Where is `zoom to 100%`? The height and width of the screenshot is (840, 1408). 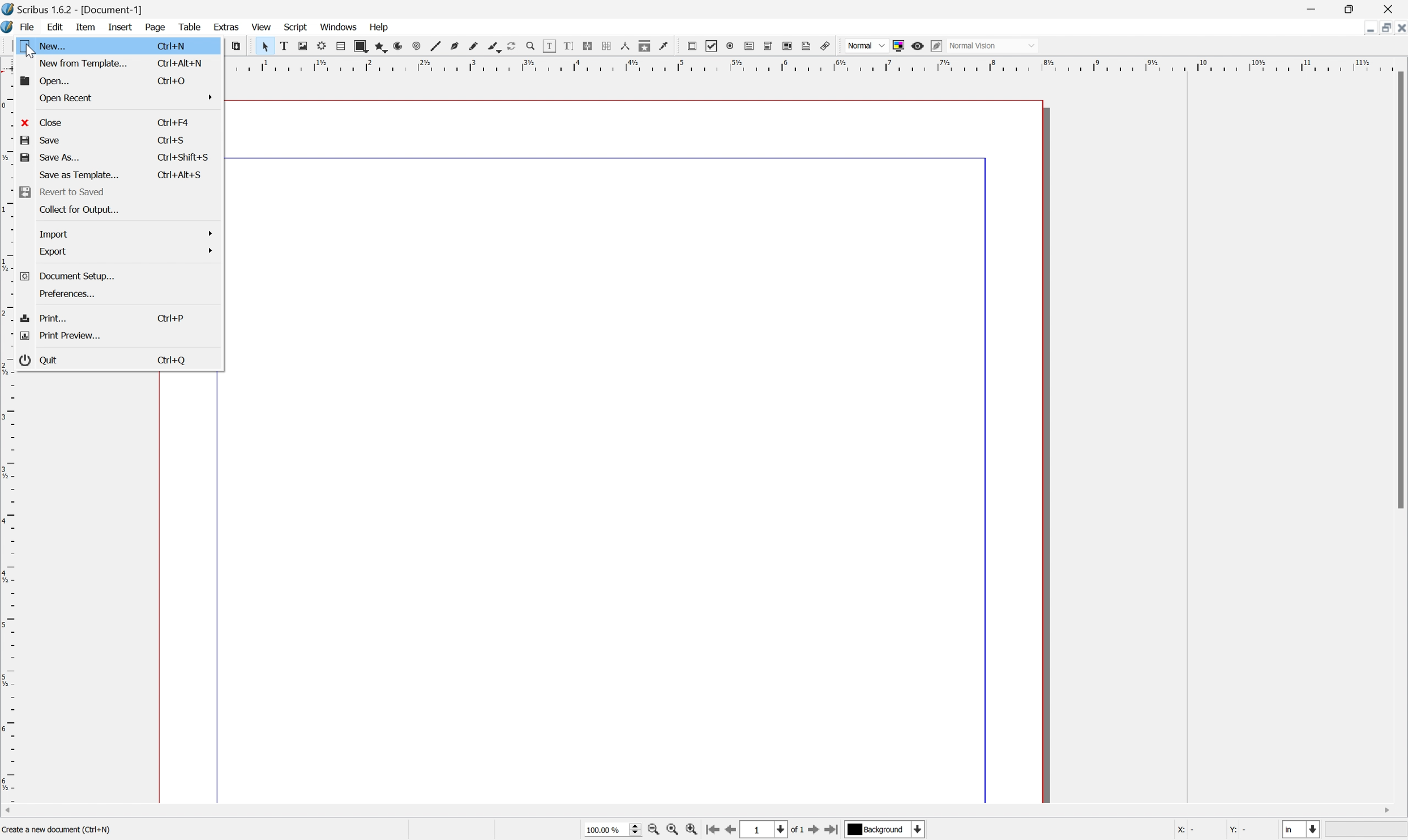 zoom to 100% is located at coordinates (674, 830).